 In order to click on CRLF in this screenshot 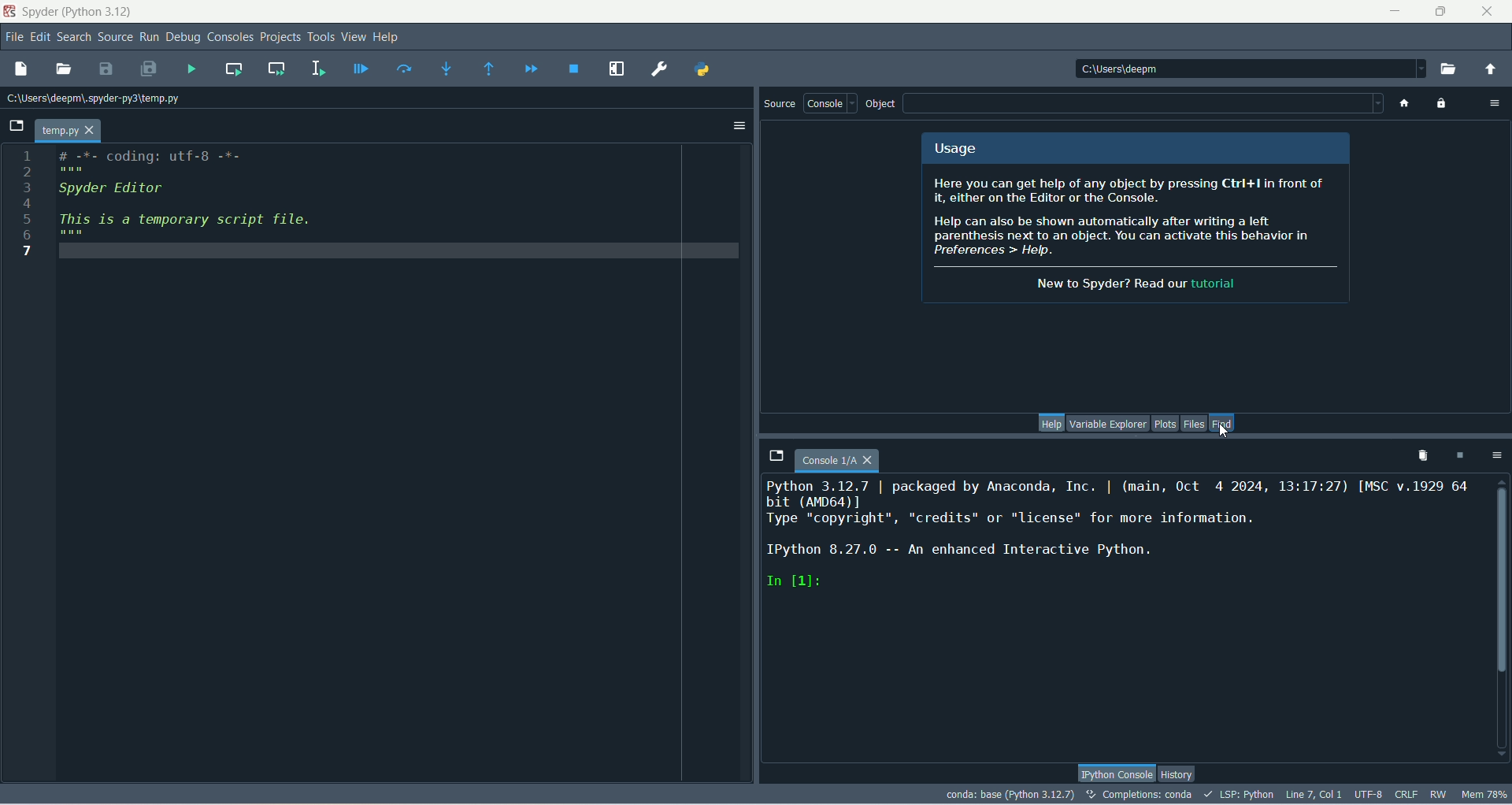, I will do `click(1407, 795)`.